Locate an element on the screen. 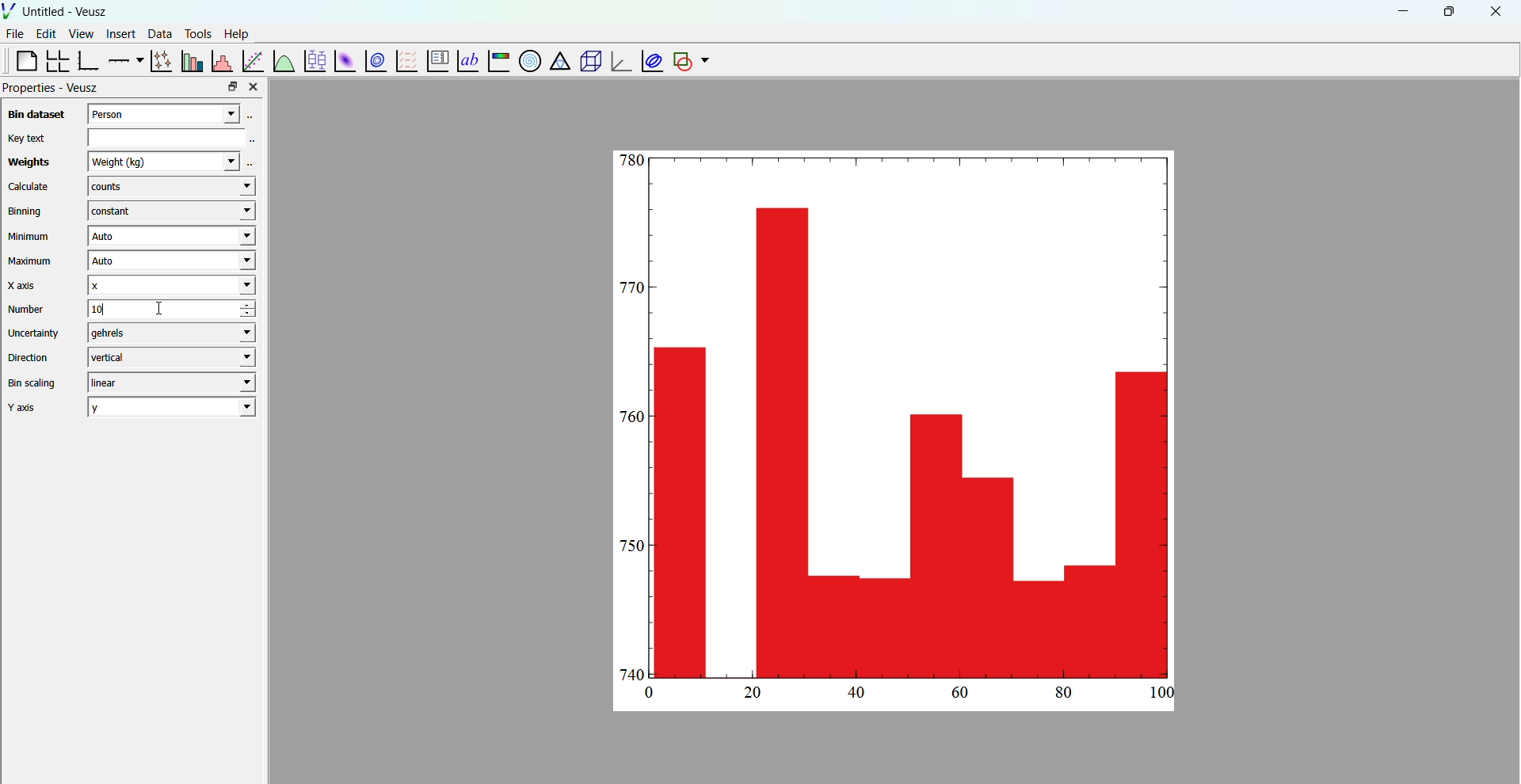 Image resolution: width=1521 pixels, height=784 pixels. counts is located at coordinates (170, 188).